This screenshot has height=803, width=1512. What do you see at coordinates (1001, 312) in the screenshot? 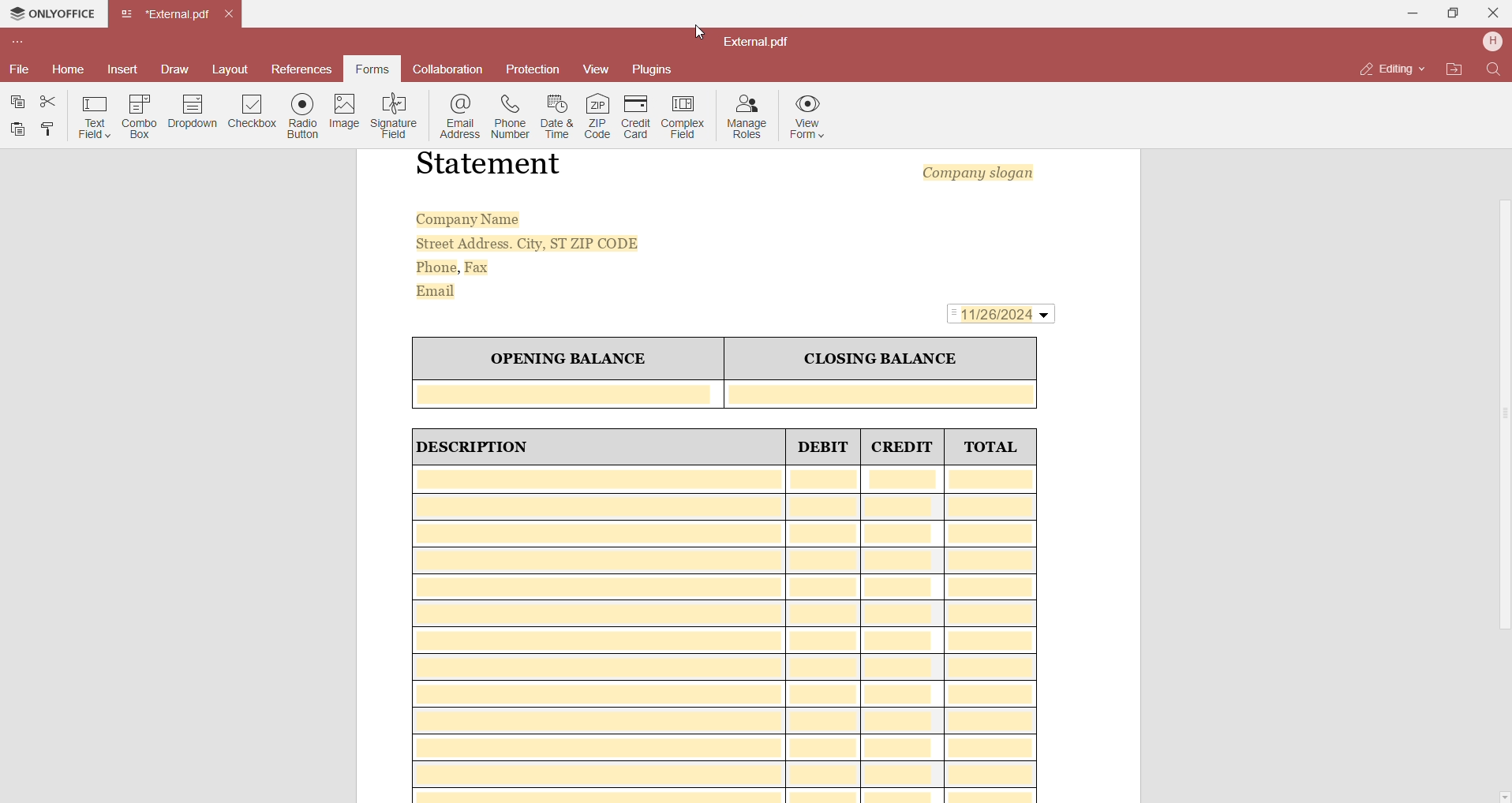
I see `11/26/2024(Date Field Added)` at bounding box center [1001, 312].